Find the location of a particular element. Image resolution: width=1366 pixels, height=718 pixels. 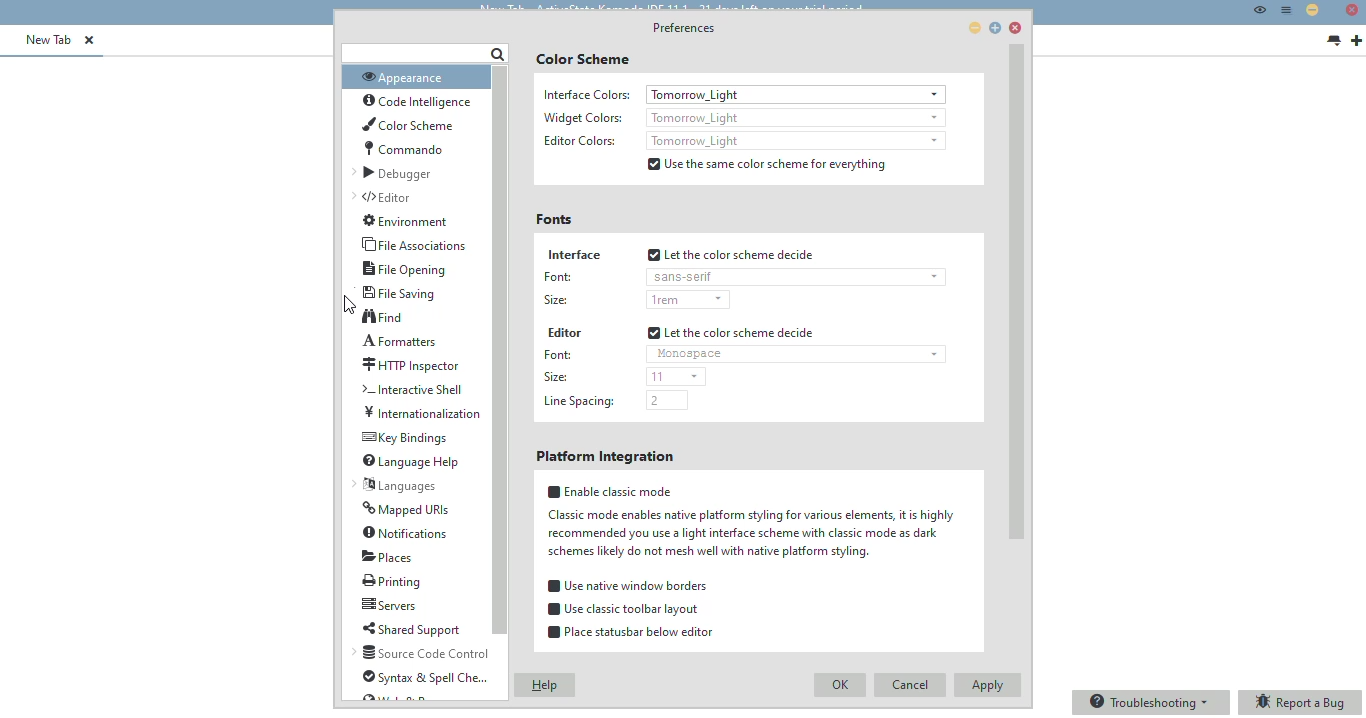

Close is located at coordinates (1353, 11).